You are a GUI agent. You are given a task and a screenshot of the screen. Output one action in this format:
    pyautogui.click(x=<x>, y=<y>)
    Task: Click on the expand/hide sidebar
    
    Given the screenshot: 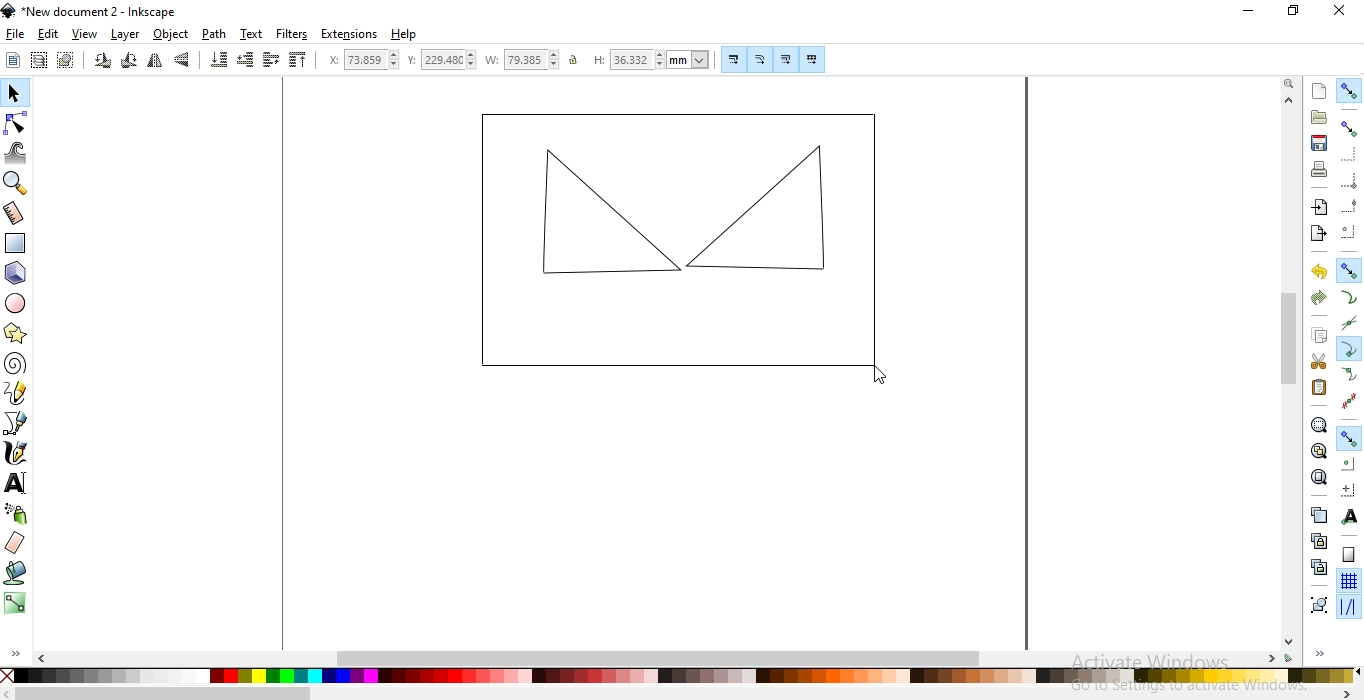 What is the action you would take?
    pyautogui.click(x=1320, y=651)
    